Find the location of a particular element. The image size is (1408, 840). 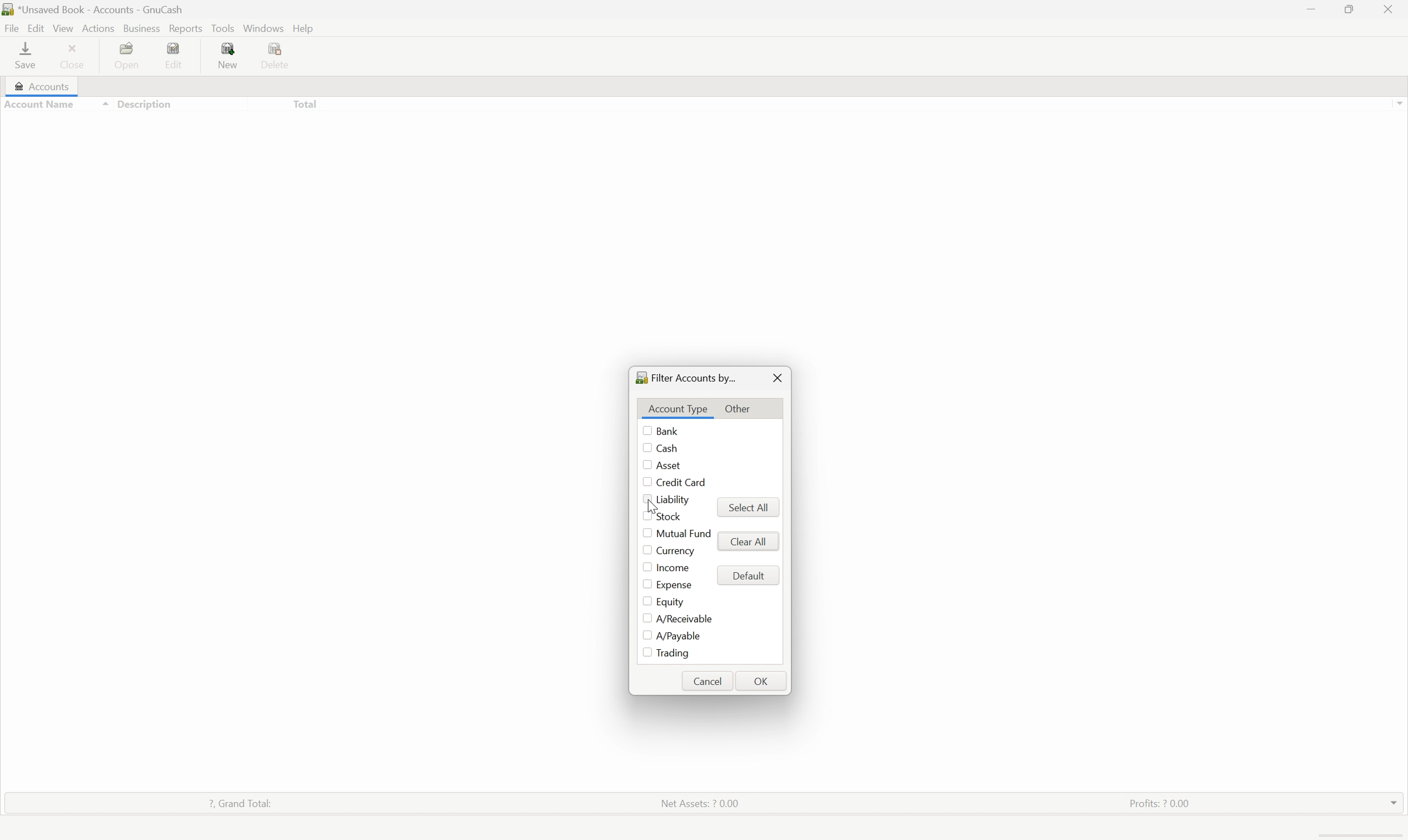

Income is located at coordinates (35, 170).